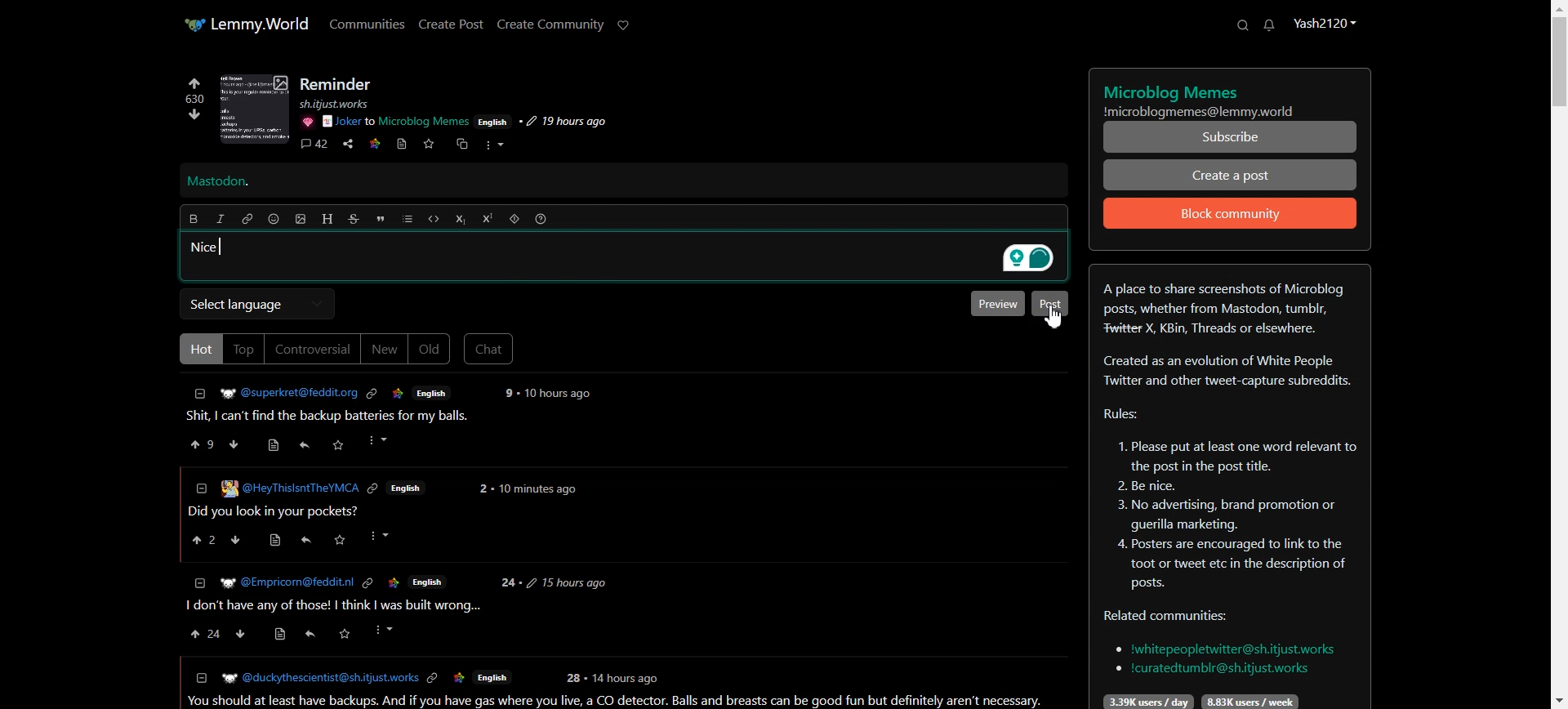  Describe the element at coordinates (1324, 22) in the screenshot. I see `Profile` at that location.